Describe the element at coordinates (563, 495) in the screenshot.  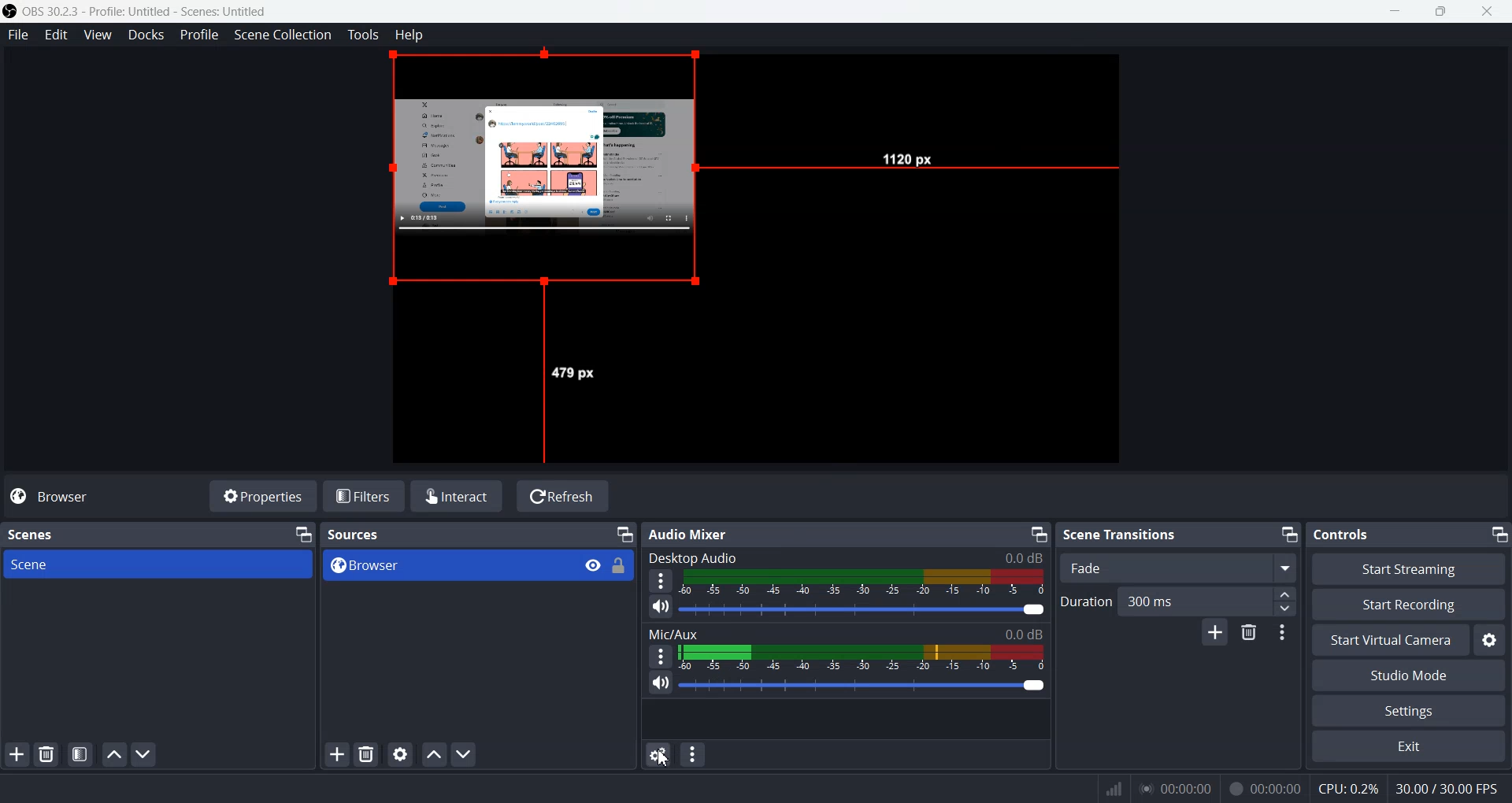
I see `Refresh` at that location.